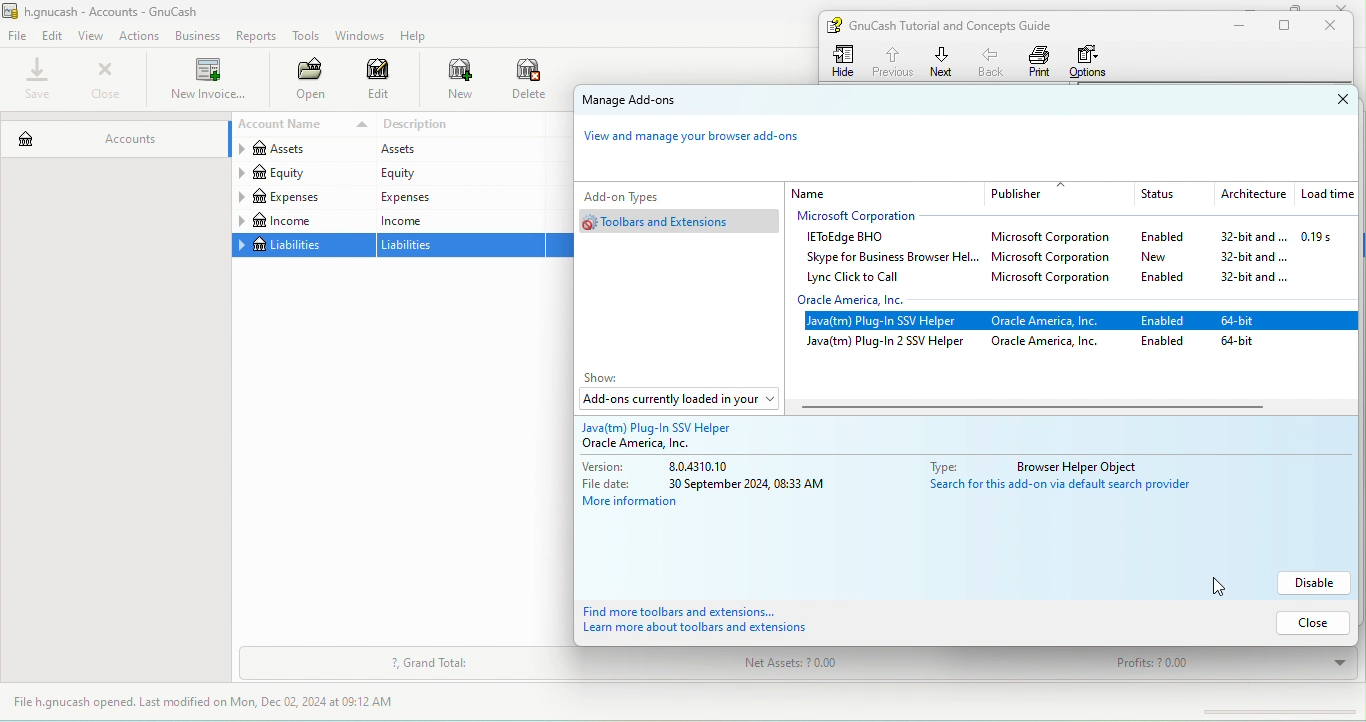 Image resolution: width=1366 pixels, height=722 pixels. What do you see at coordinates (461, 125) in the screenshot?
I see `description` at bounding box center [461, 125].